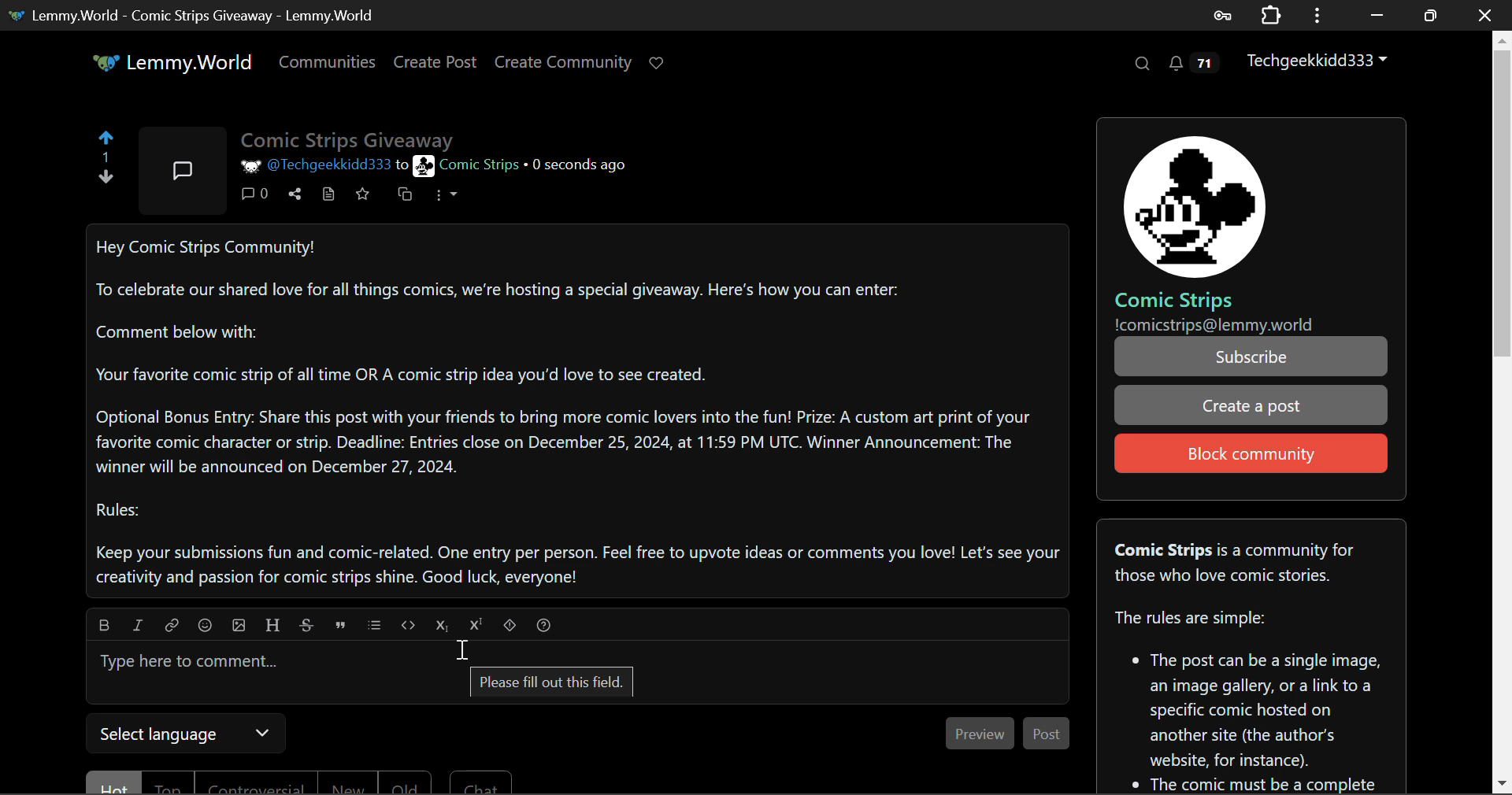  Describe the element at coordinates (344, 784) in the screenshot. I see `New` at that location.